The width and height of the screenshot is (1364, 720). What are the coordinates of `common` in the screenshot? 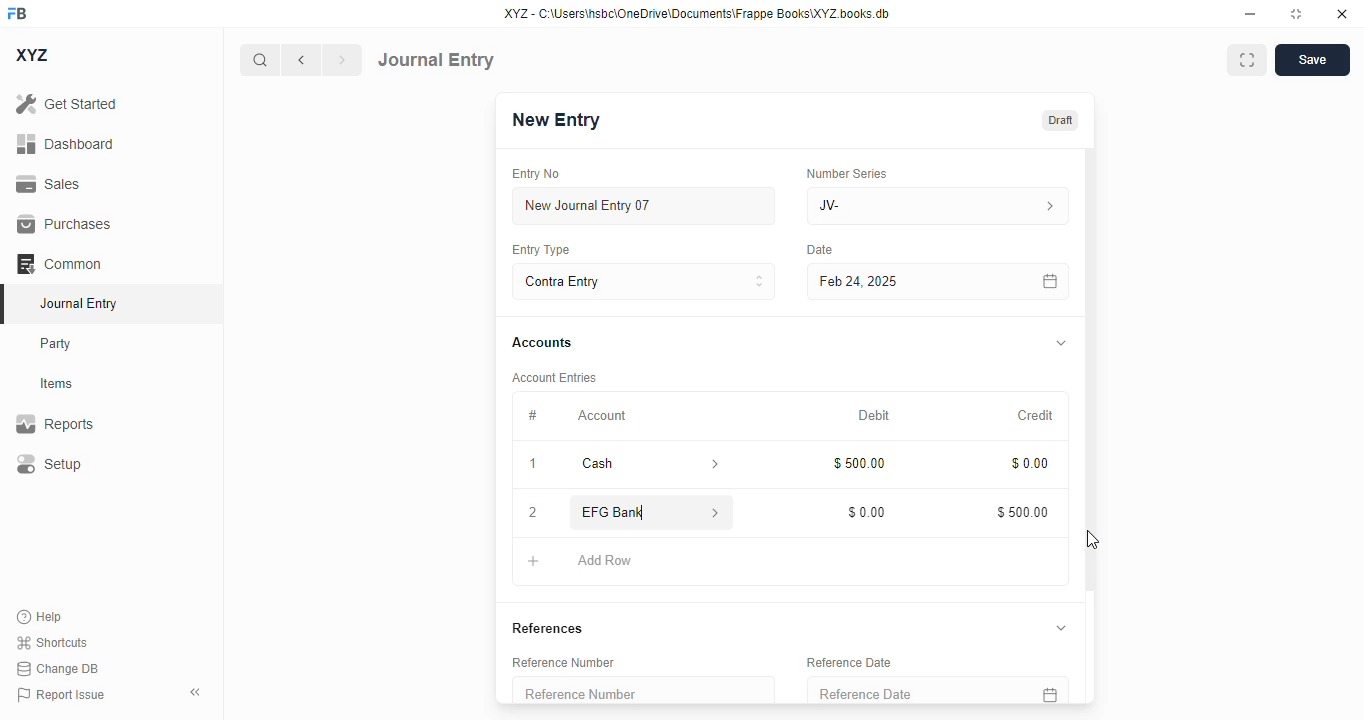 It's located at (59, 263).